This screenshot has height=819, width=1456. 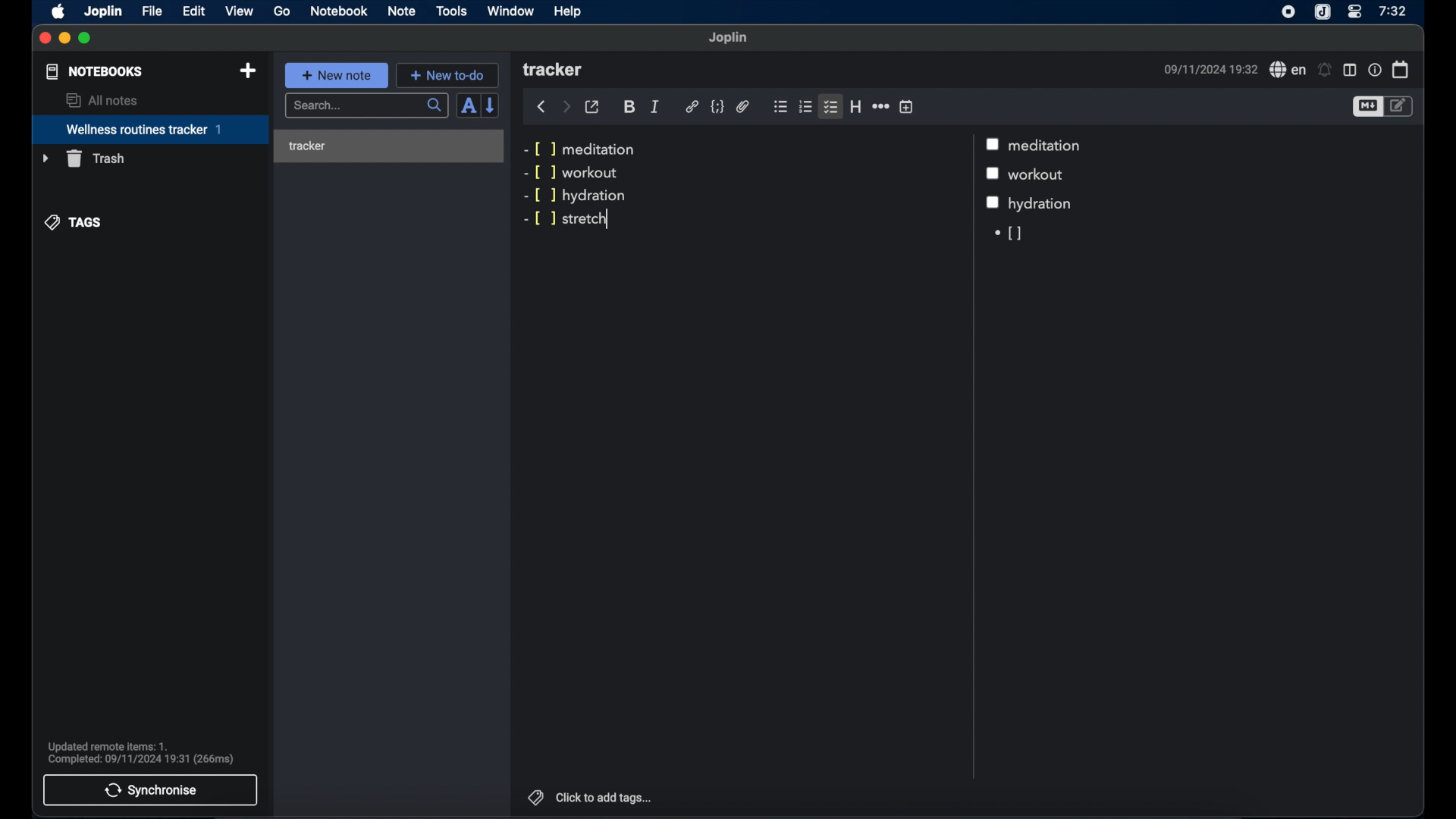 I want to click on note, so click(x=402, y=12).